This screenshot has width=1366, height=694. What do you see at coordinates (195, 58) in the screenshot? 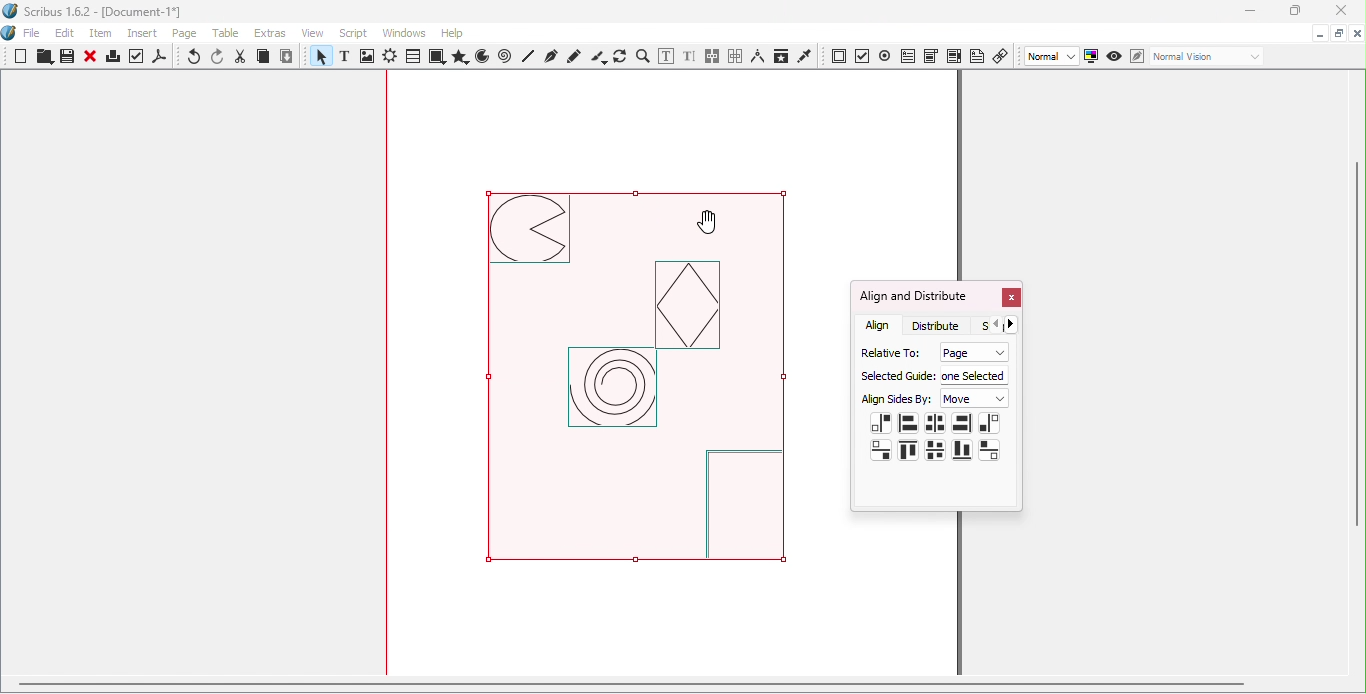
I see `Undo` at bounding box center [195, 58].